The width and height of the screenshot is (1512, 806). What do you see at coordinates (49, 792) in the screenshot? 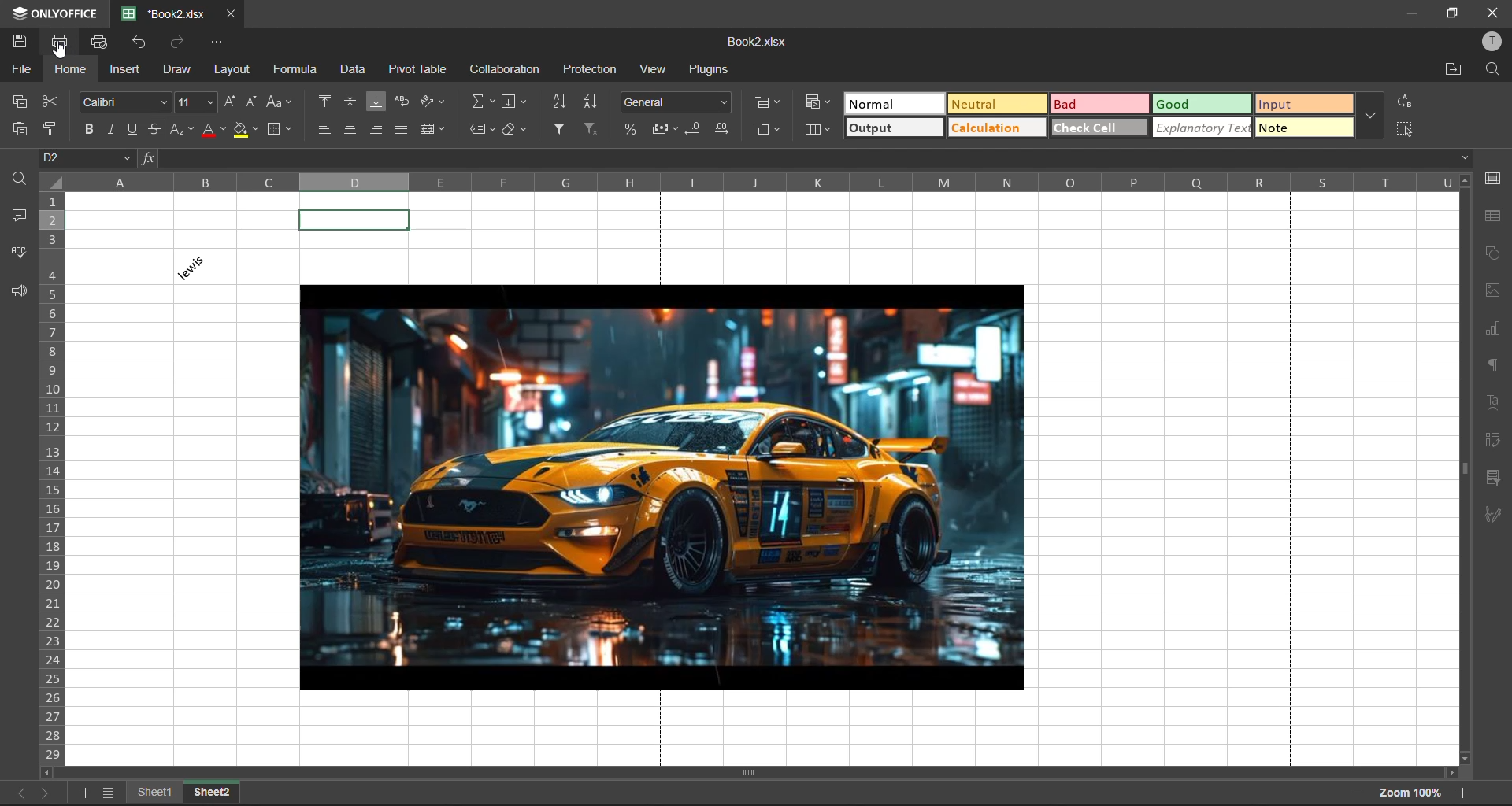
I see `next` at bounding box center [49, 792].